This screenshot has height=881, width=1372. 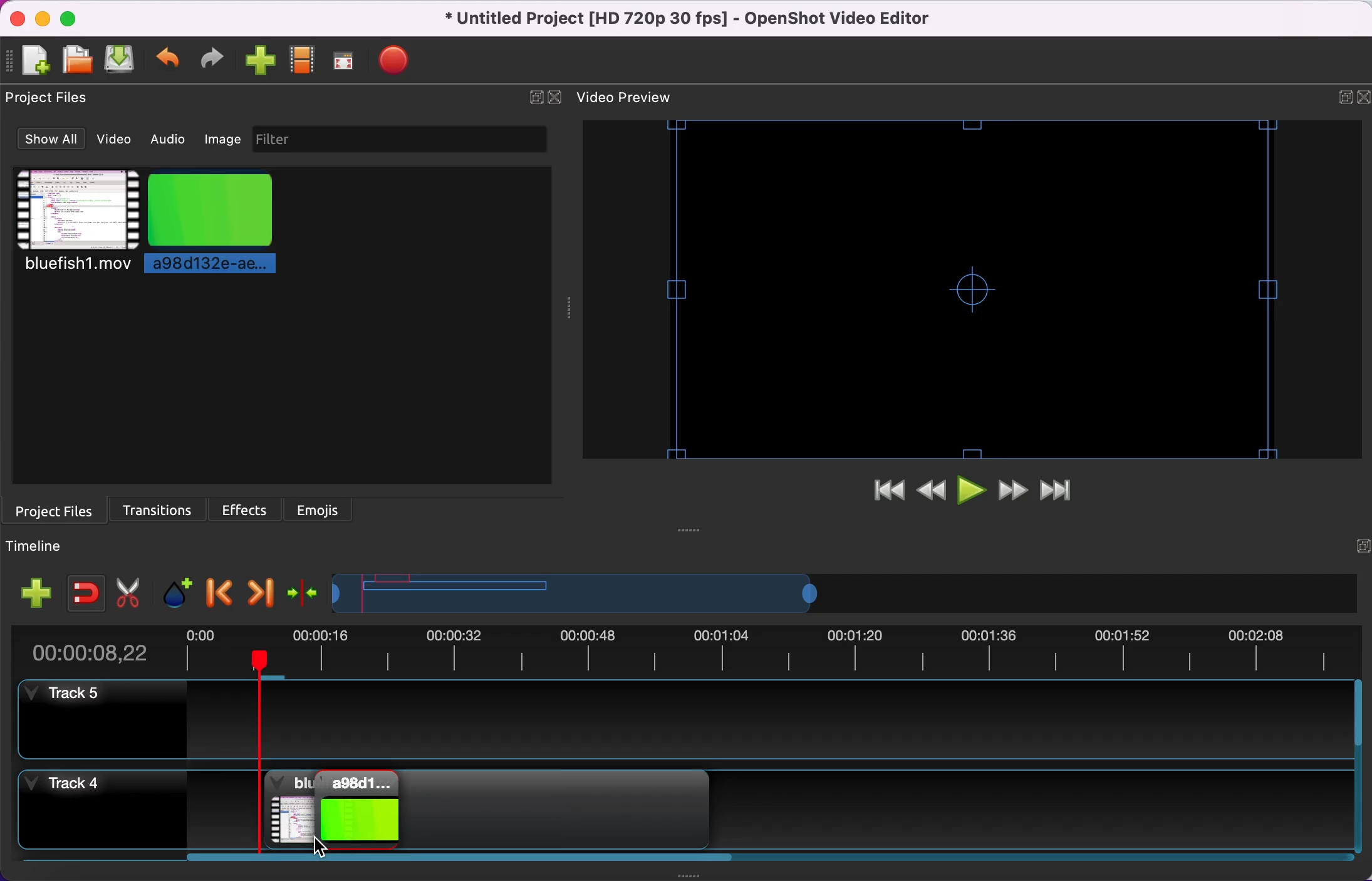 I want to click on filter, so click(x=398, y=140).